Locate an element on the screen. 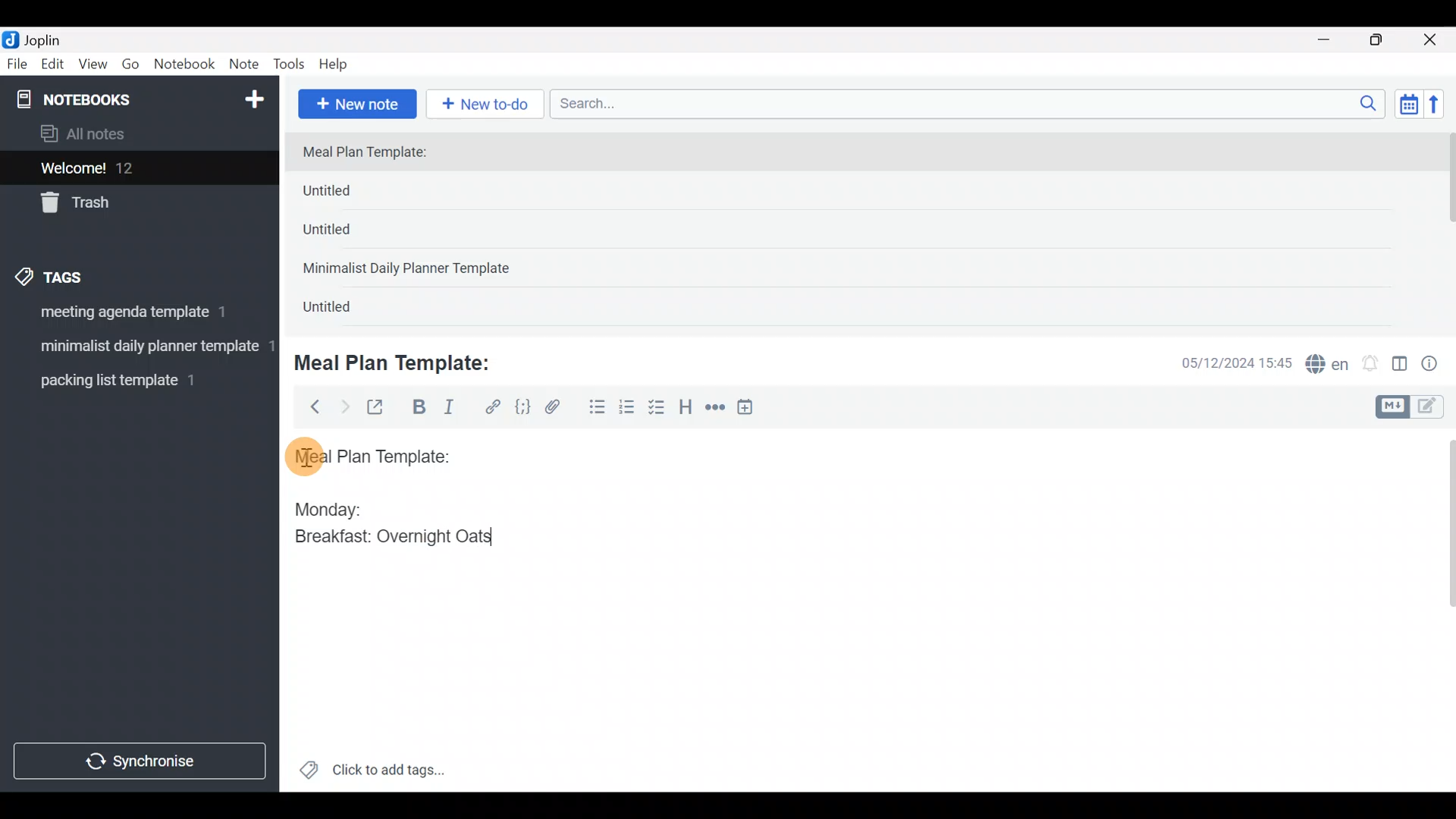  Maximize is located at coordinates (1385, 40).